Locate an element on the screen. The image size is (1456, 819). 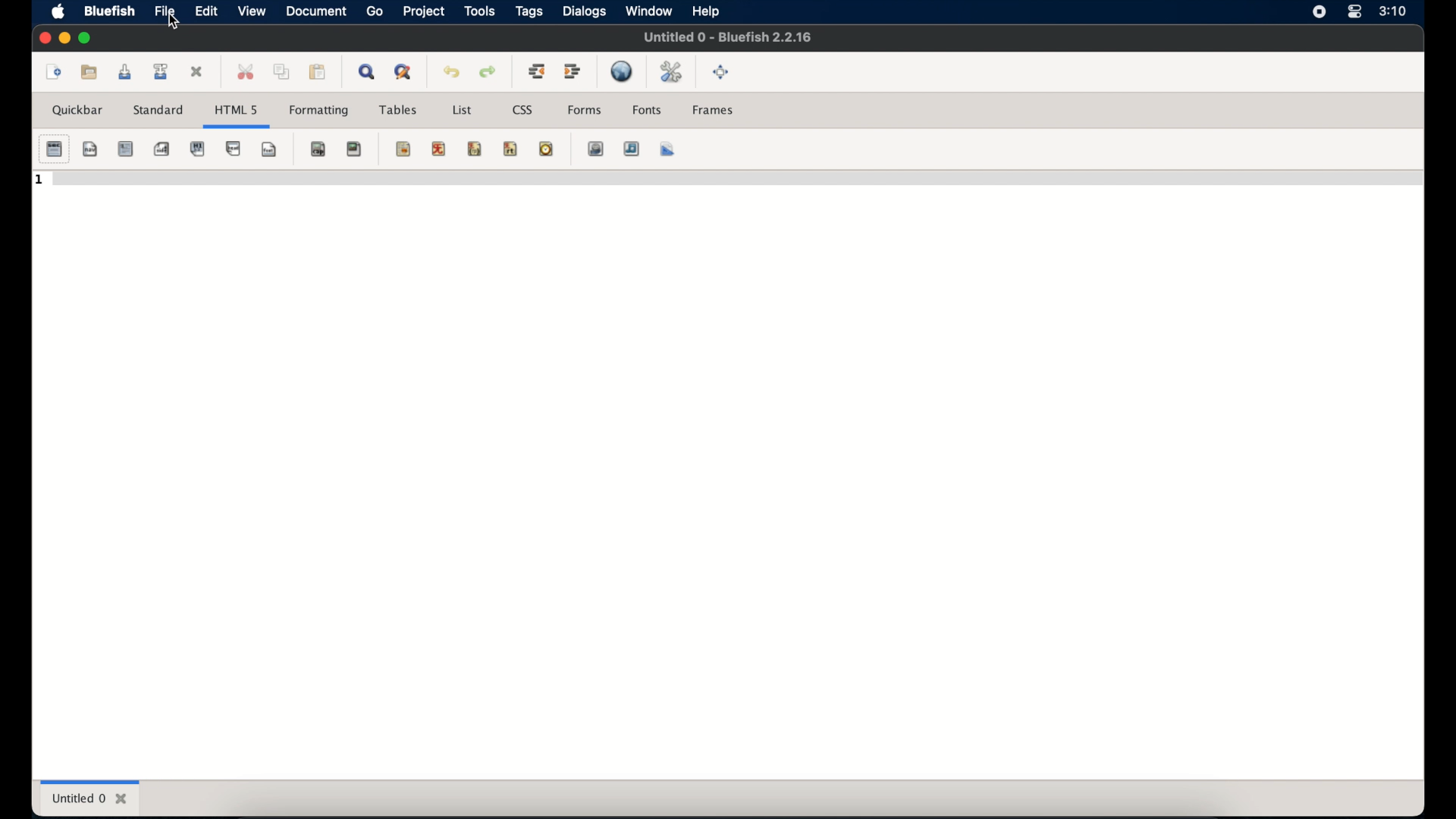
email is located at coordinates (533, 149).